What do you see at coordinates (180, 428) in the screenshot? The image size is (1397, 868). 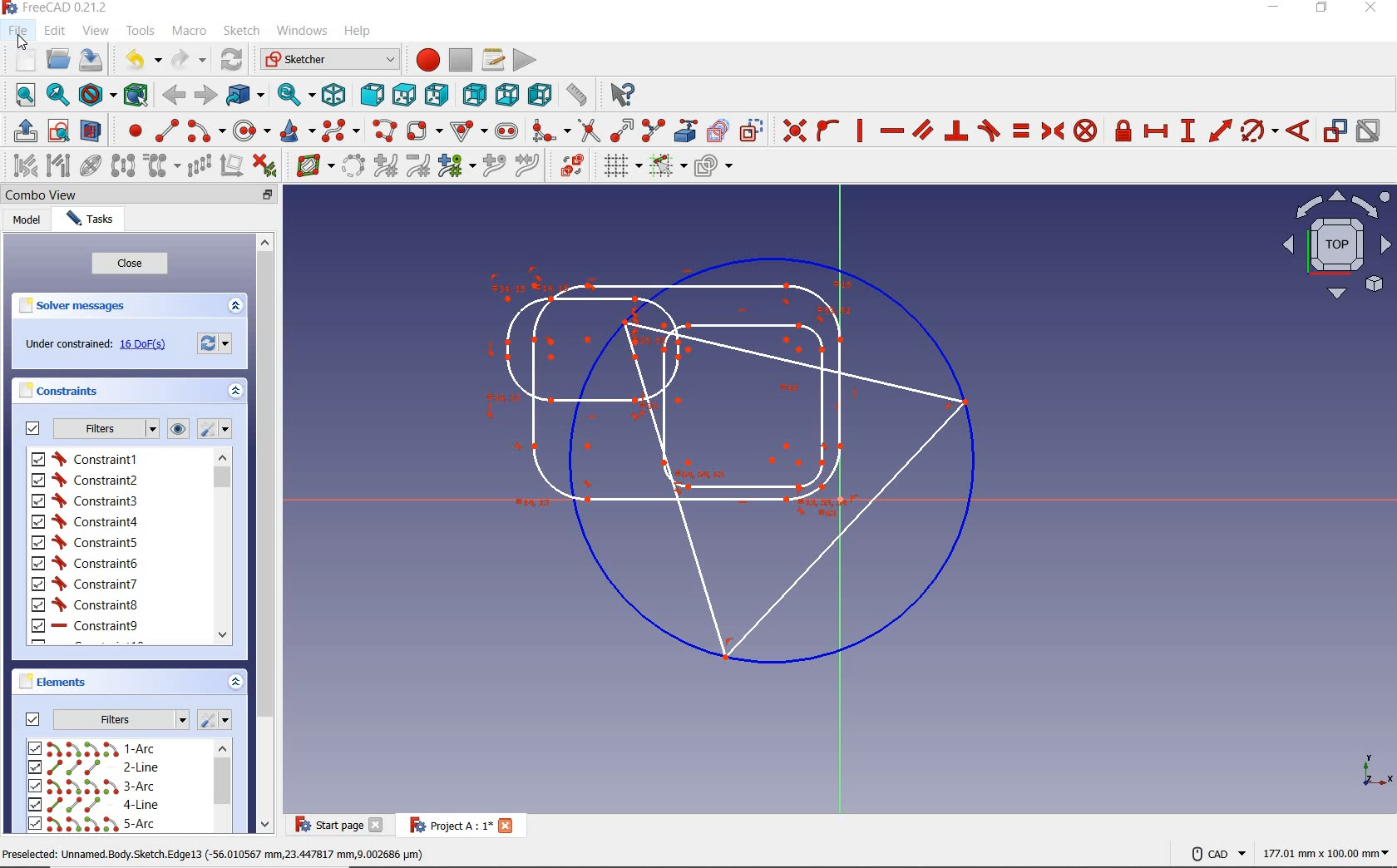 I see `show/hide all listed constraints from 3D view` at bounding box center [180, 428].